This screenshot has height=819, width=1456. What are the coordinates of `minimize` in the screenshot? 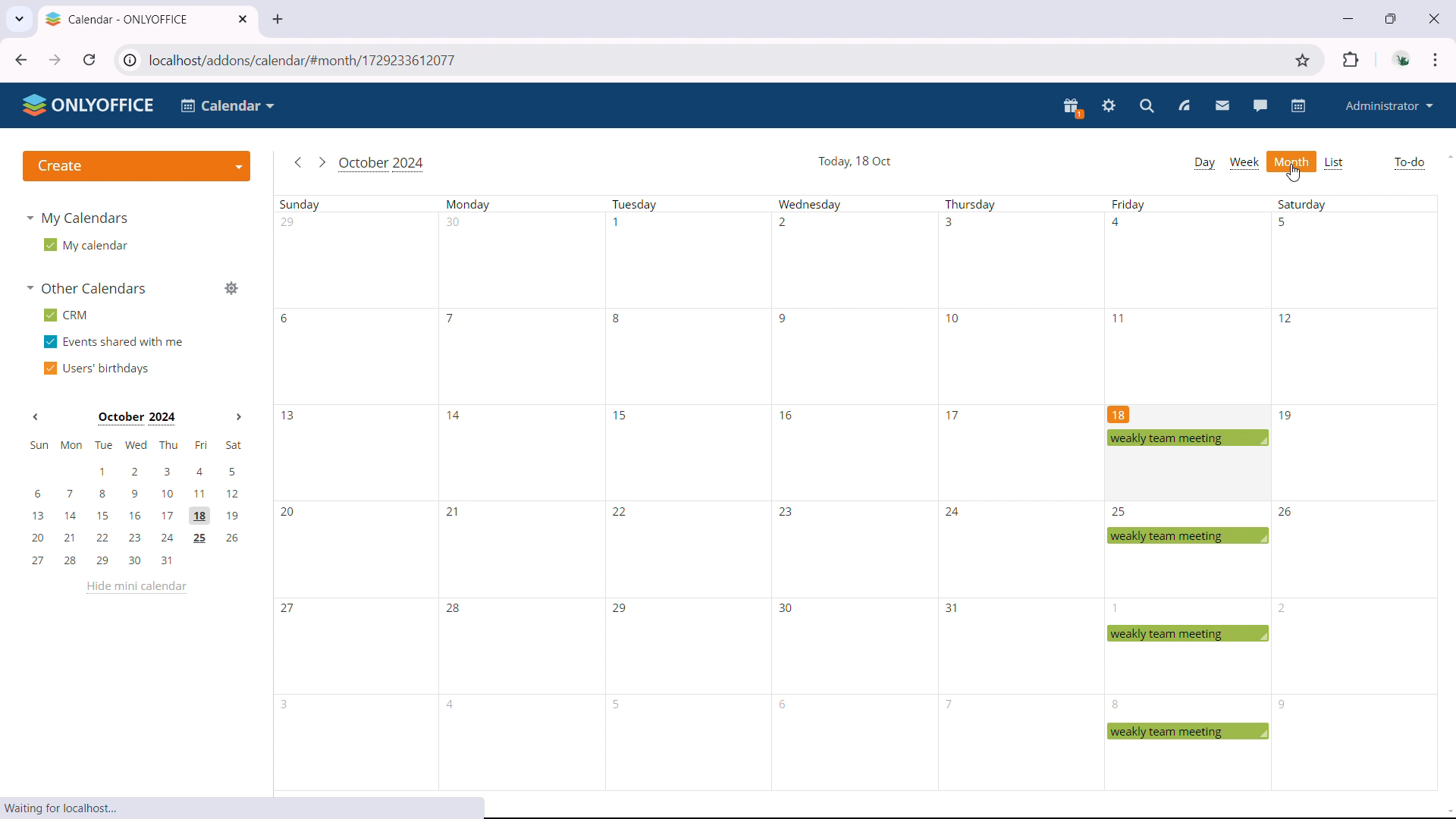 It's located at (1350, 19).